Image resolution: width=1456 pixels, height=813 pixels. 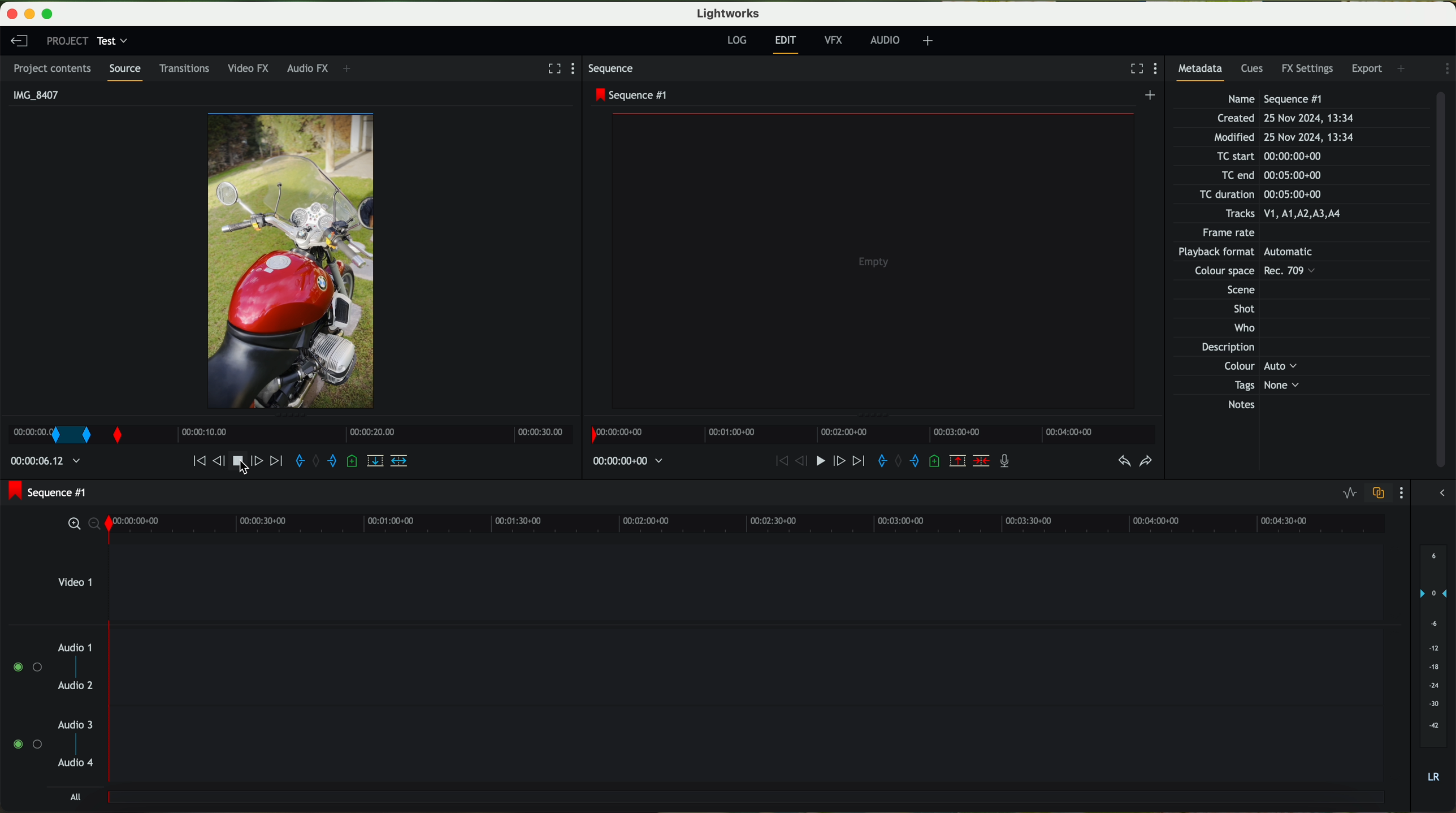 I want to click on show settings menu, so click(x=1445, y=68).